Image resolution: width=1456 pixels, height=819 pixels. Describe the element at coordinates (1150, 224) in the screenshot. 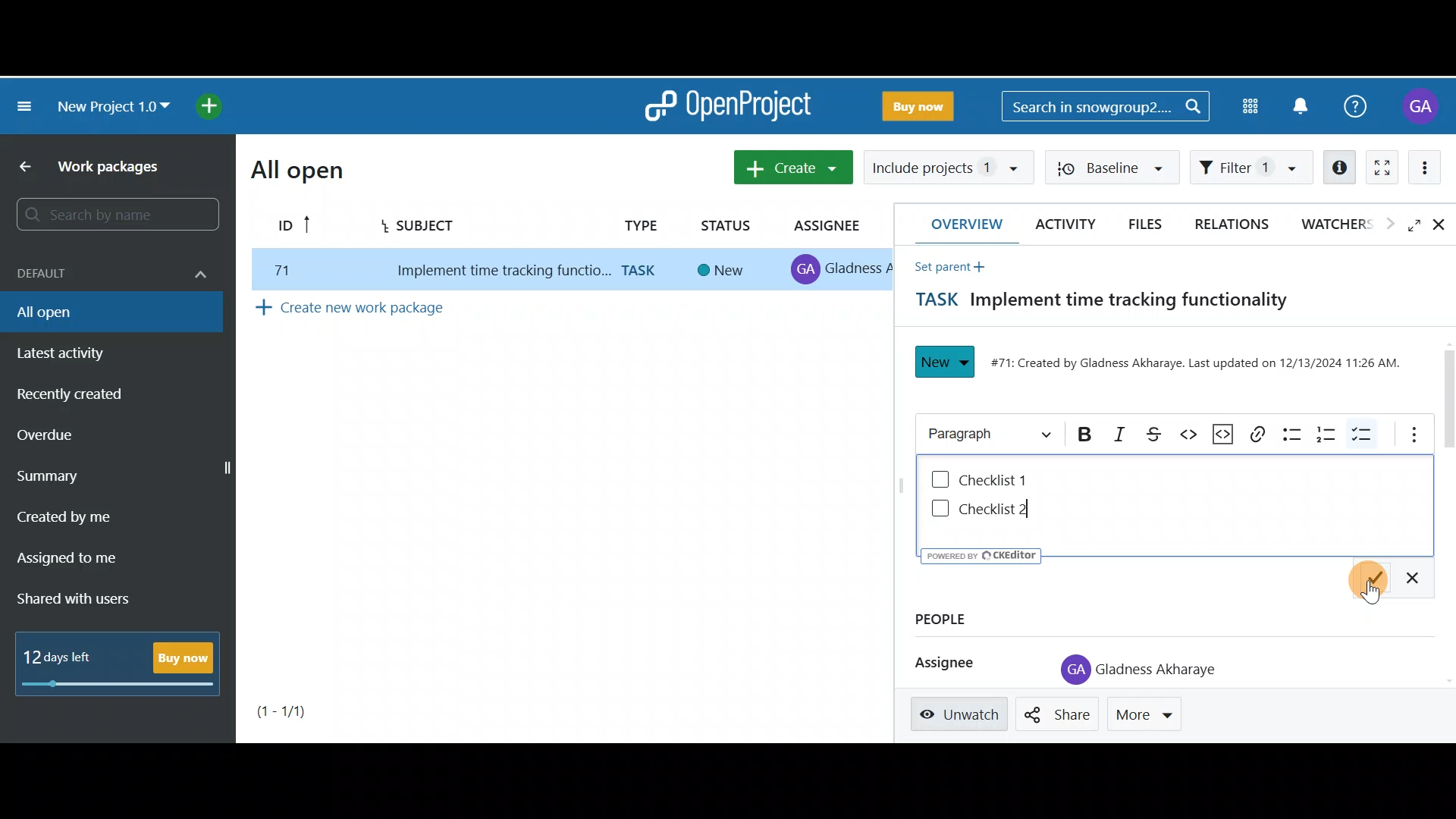

I see `Files` at that location.